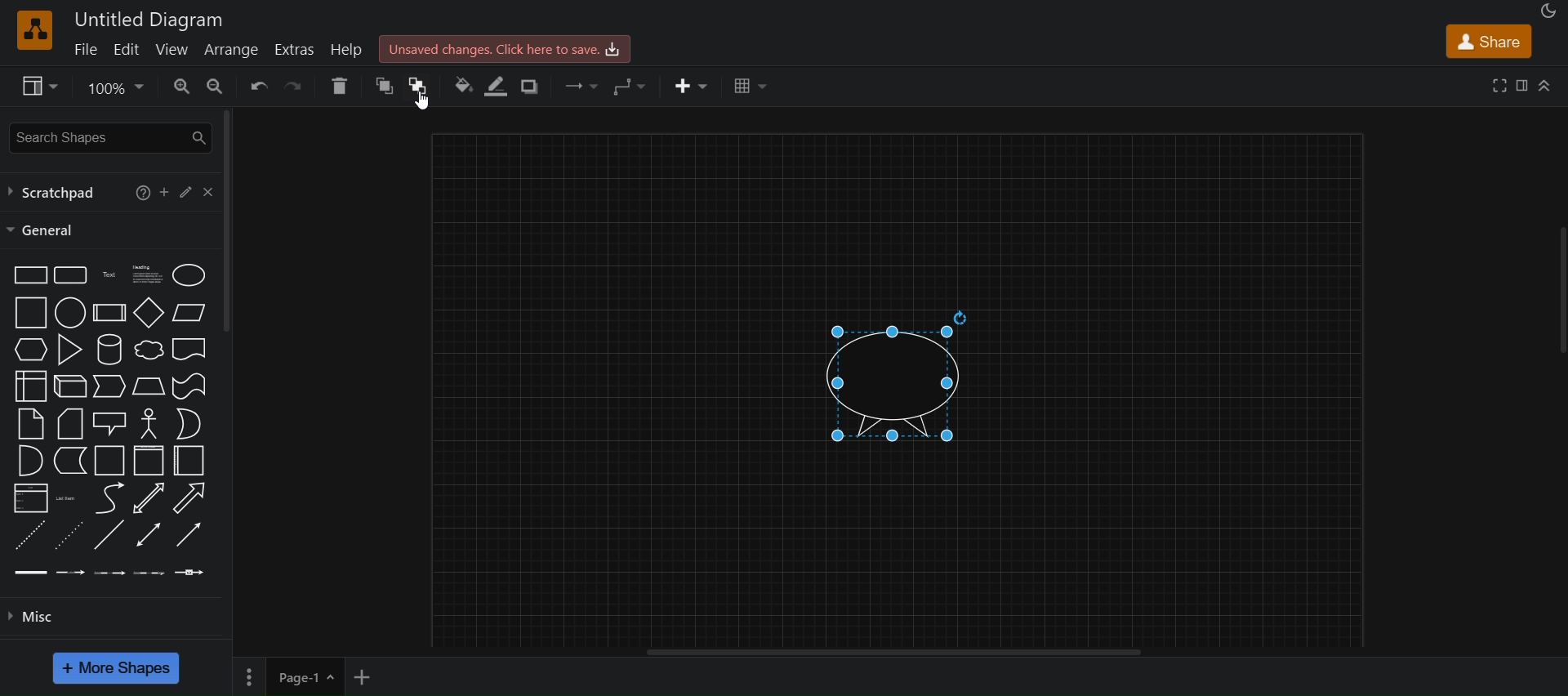 Image resolution: width=1568 pixels, height=696 pixels. What do you see at coordinates (27, 535) in the screenshot?
I see `dashed line` at bounding box center [27, 535].